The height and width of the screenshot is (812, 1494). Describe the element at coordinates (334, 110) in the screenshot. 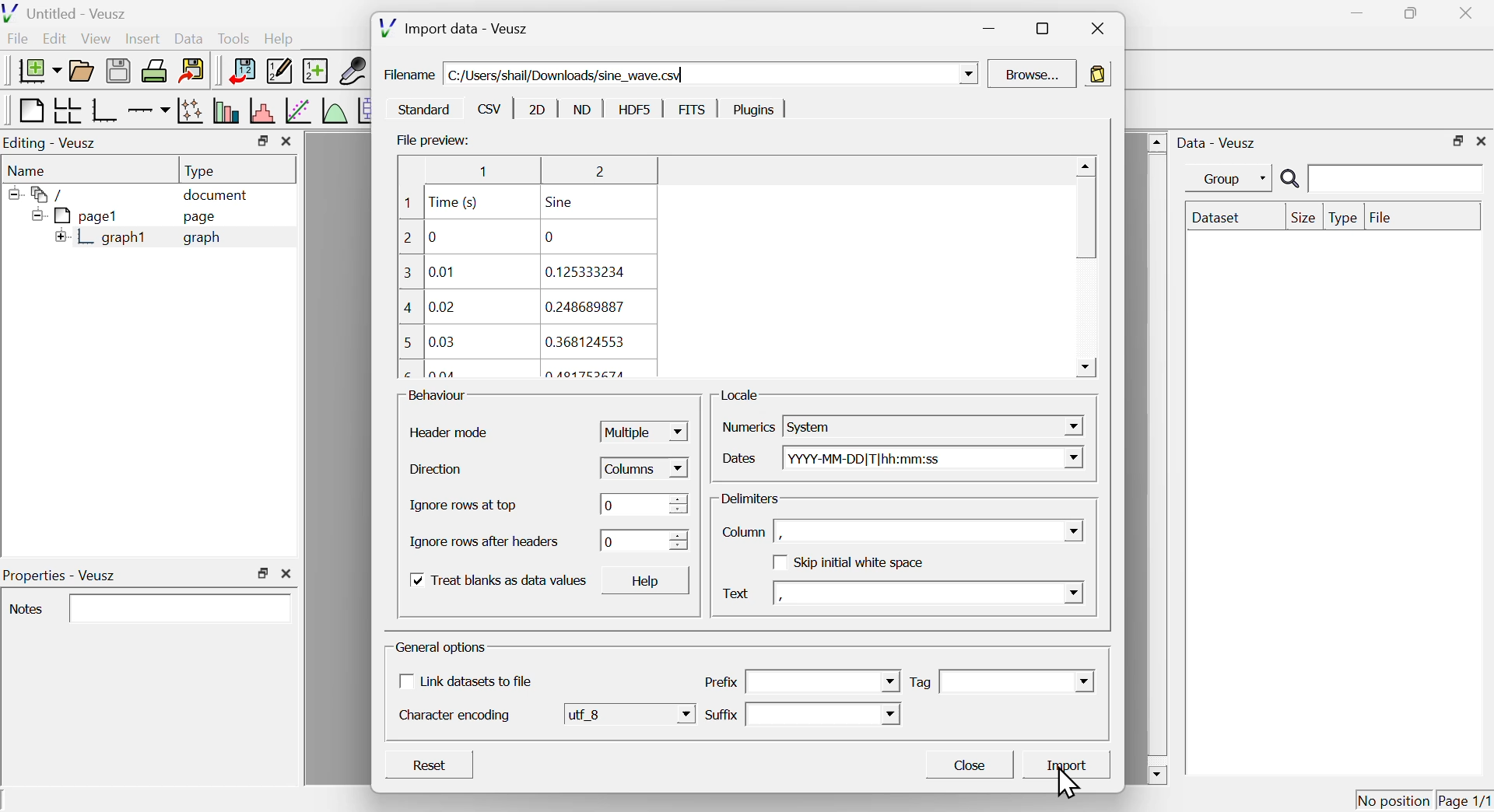

I see `plot a function` at that location.